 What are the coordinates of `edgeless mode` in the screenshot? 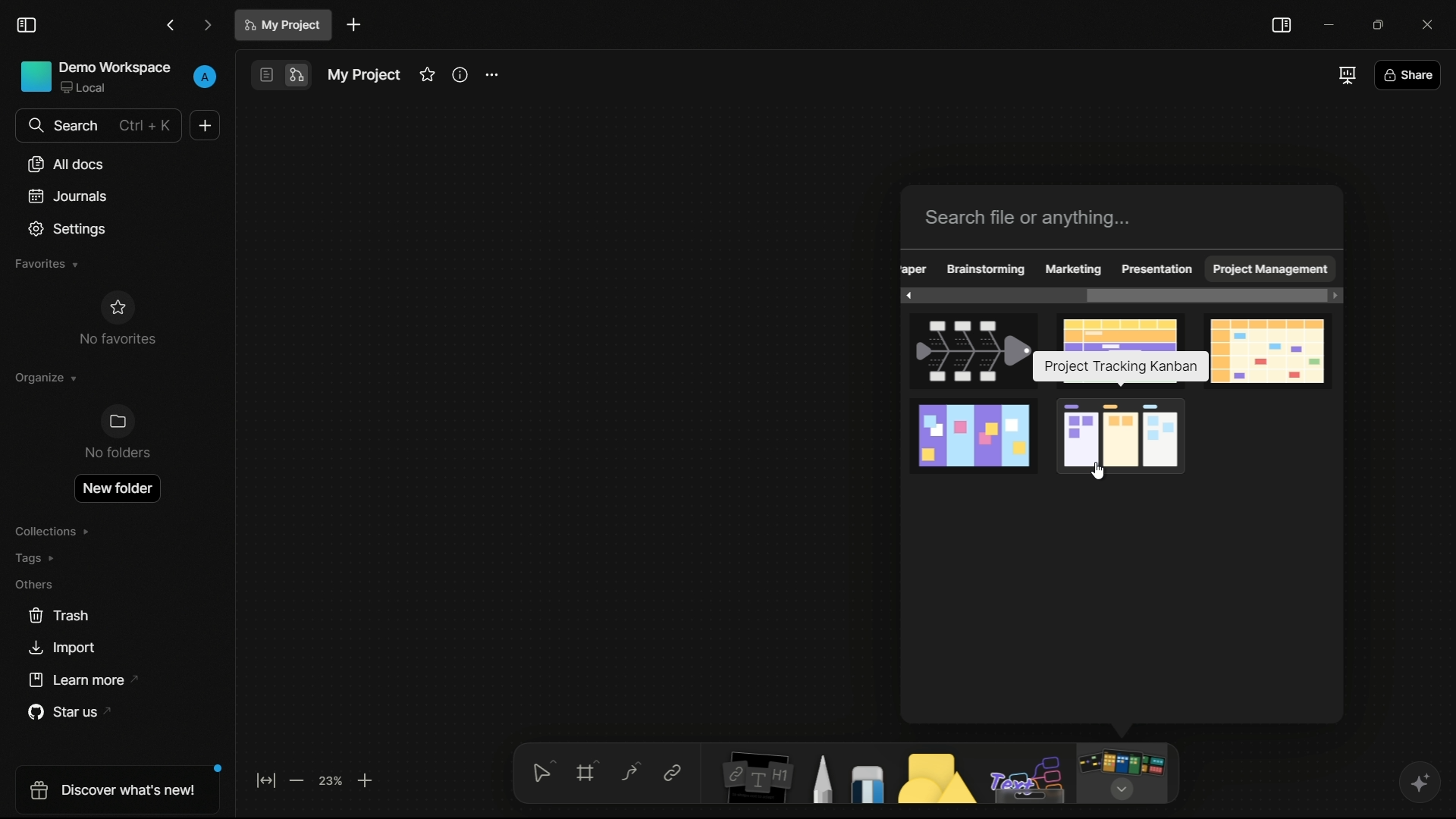 It's located at (295, 76).